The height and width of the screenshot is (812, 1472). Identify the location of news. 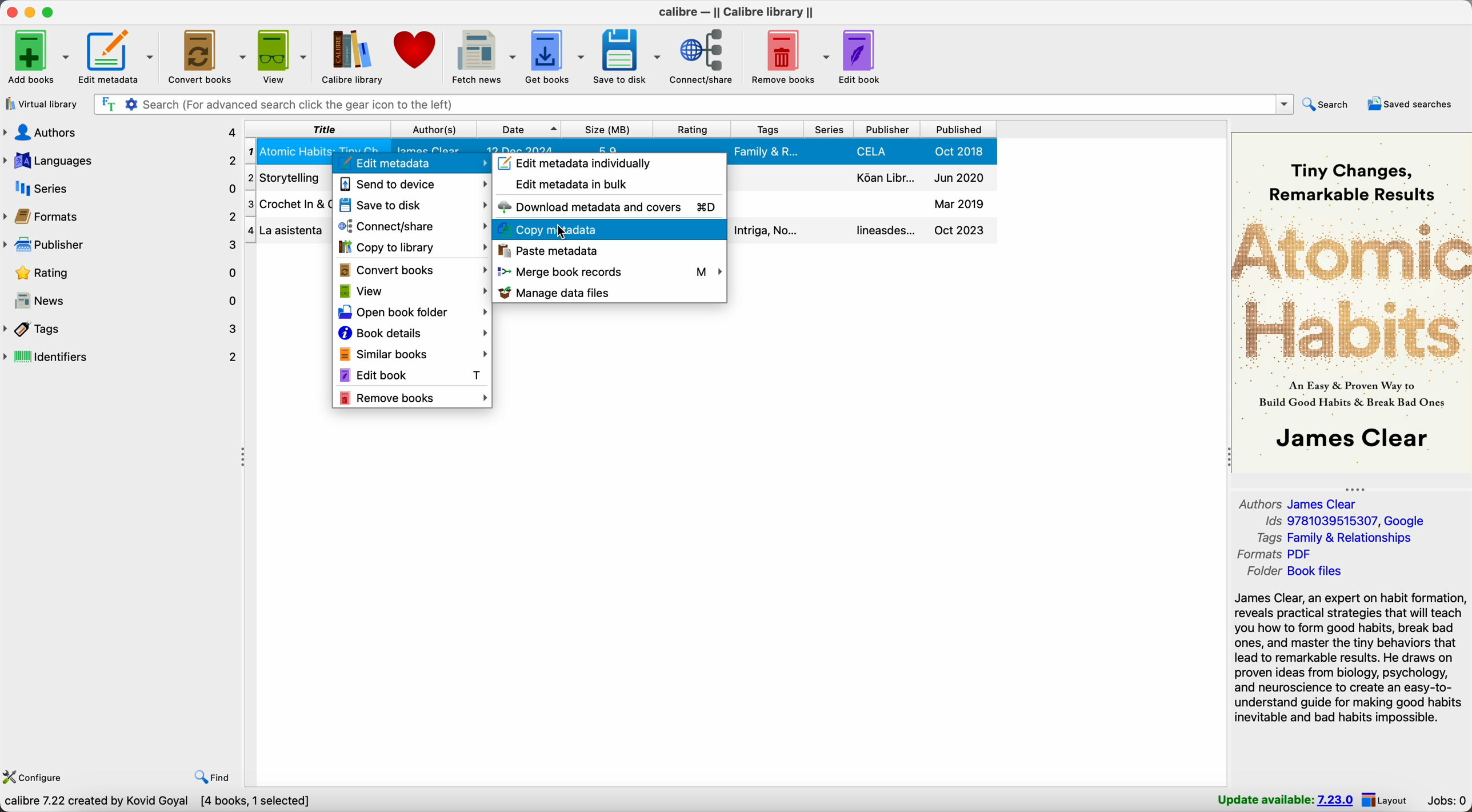
(122, 301).